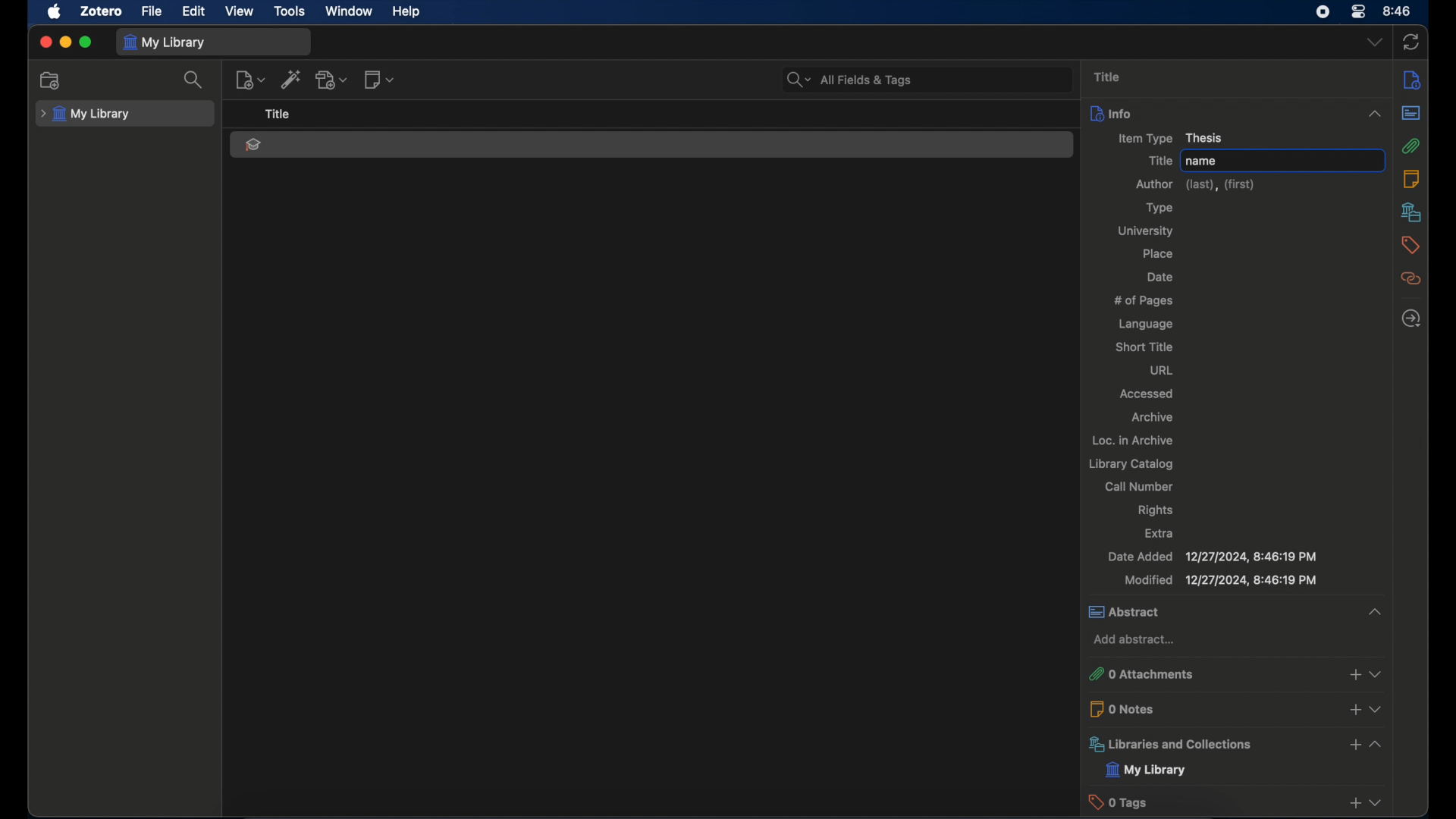 This screenshot has height=819, width=1456. What do you see at coordinates (65, 42) in the screenshot?
I see `minimize` at bounding box center [65, 42].